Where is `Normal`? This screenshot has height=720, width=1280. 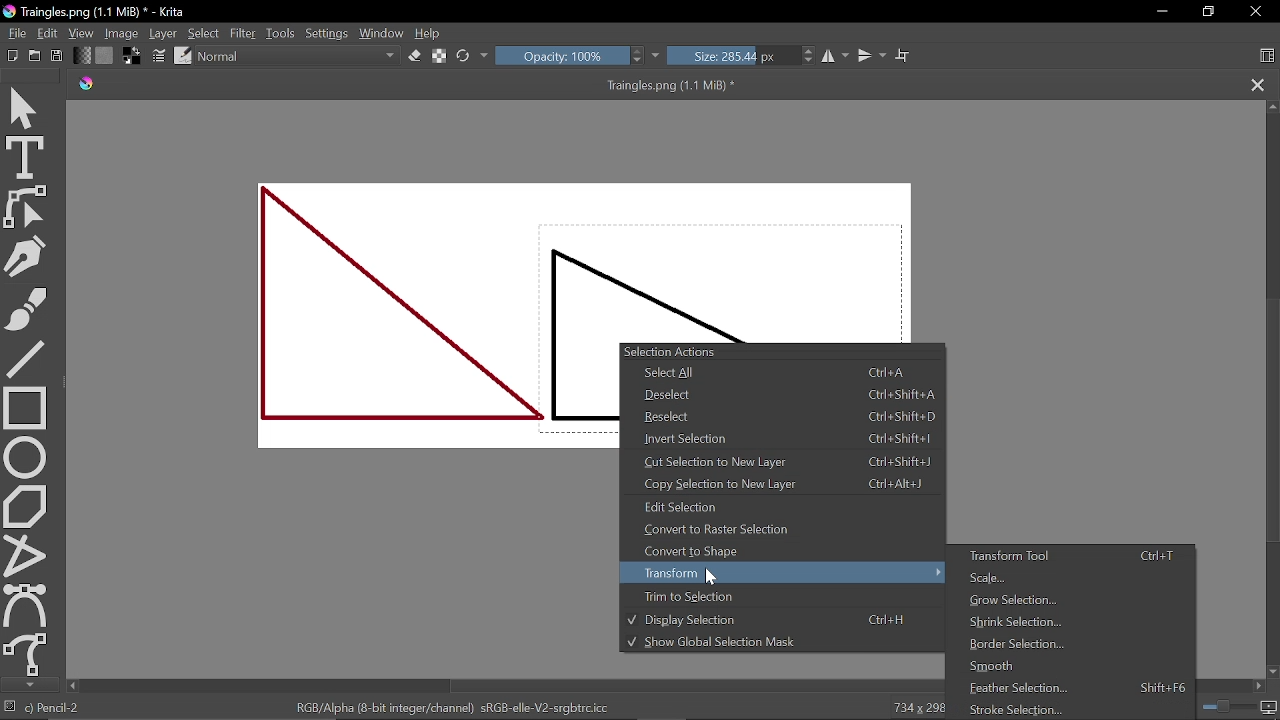
Normal is located at coordinates (298, 57).